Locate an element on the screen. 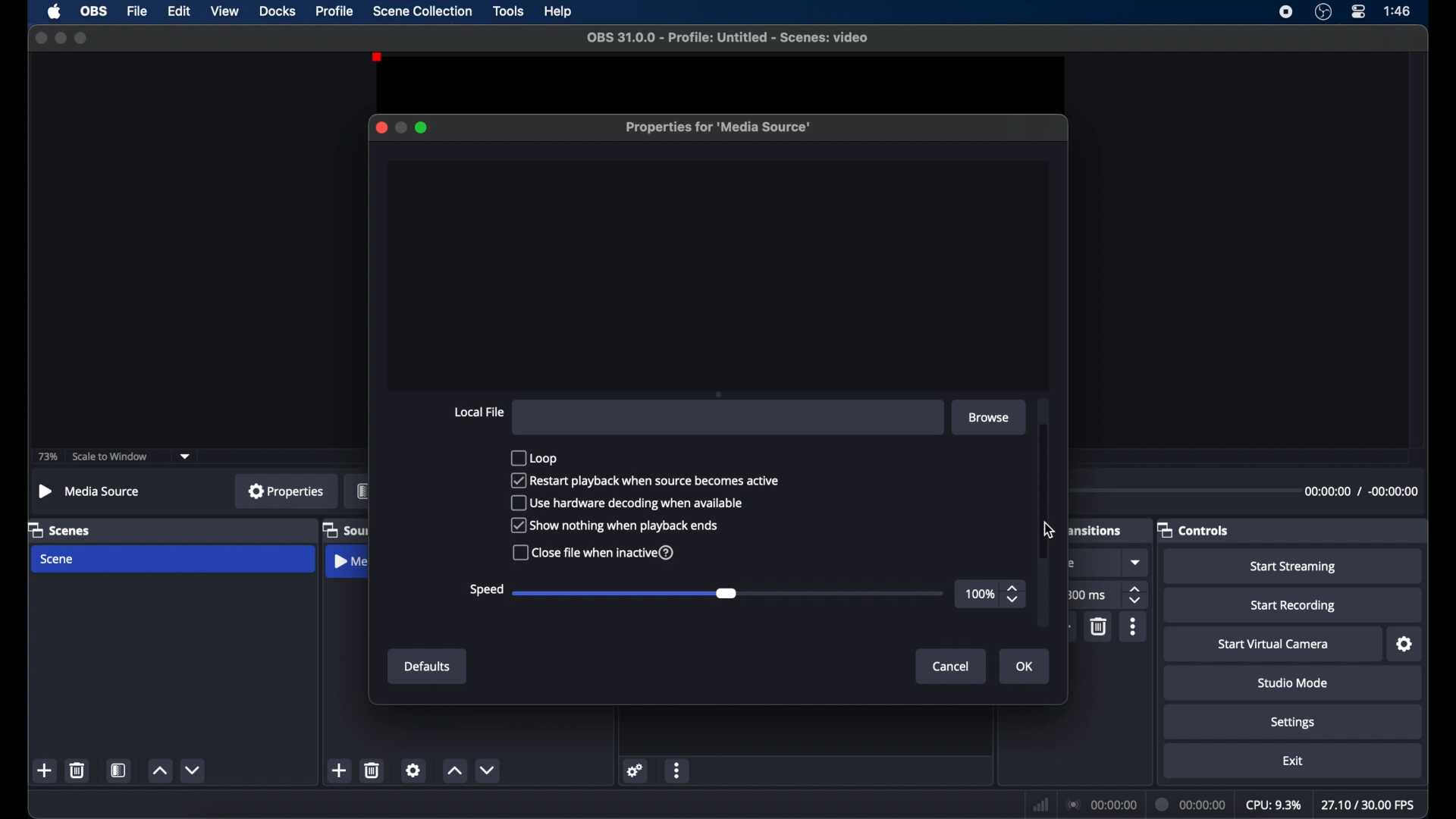  obs studio is located at coordinates (1323, 11).